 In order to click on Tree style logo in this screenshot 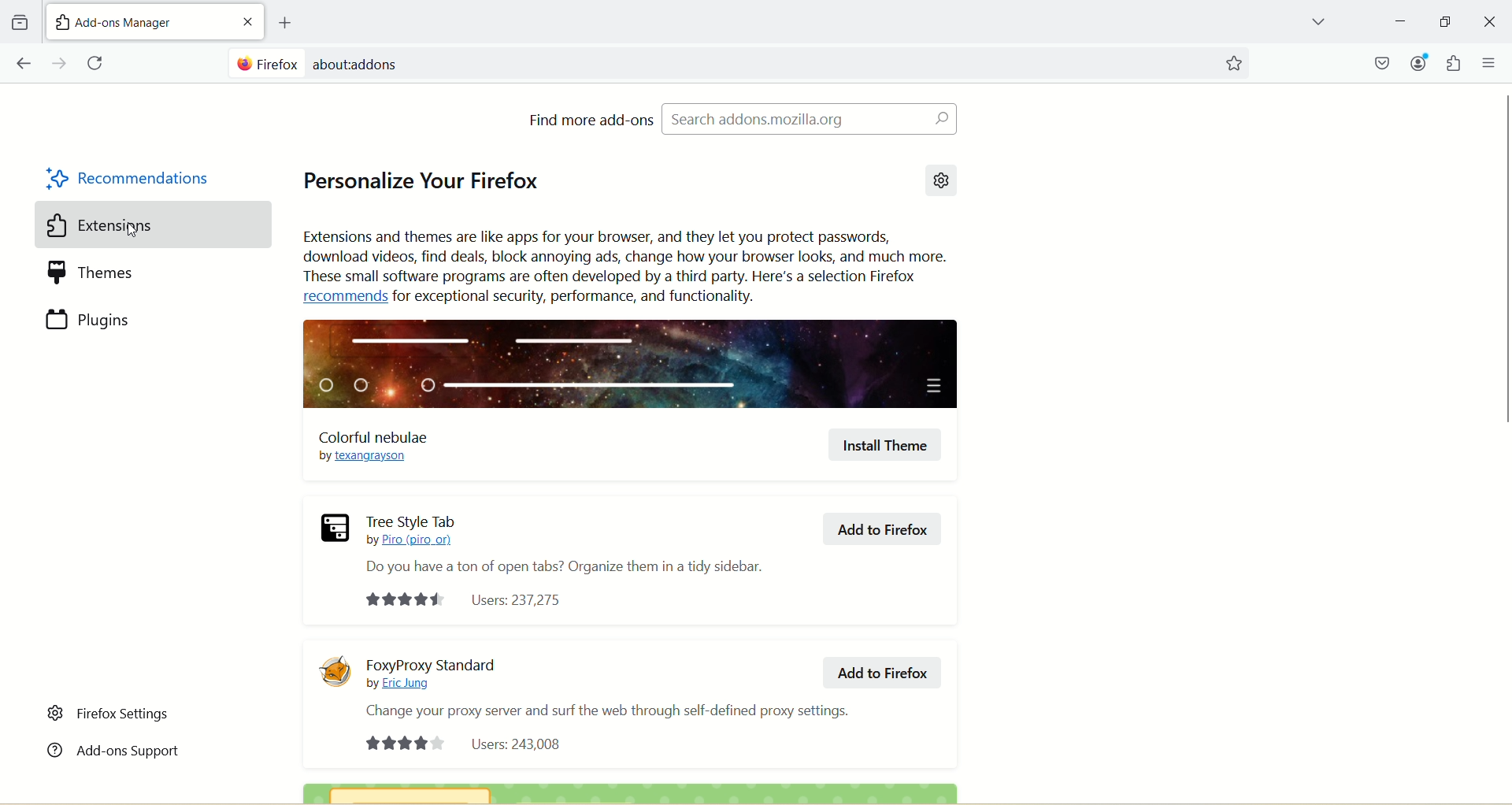, I will do `click(335, 528)`.